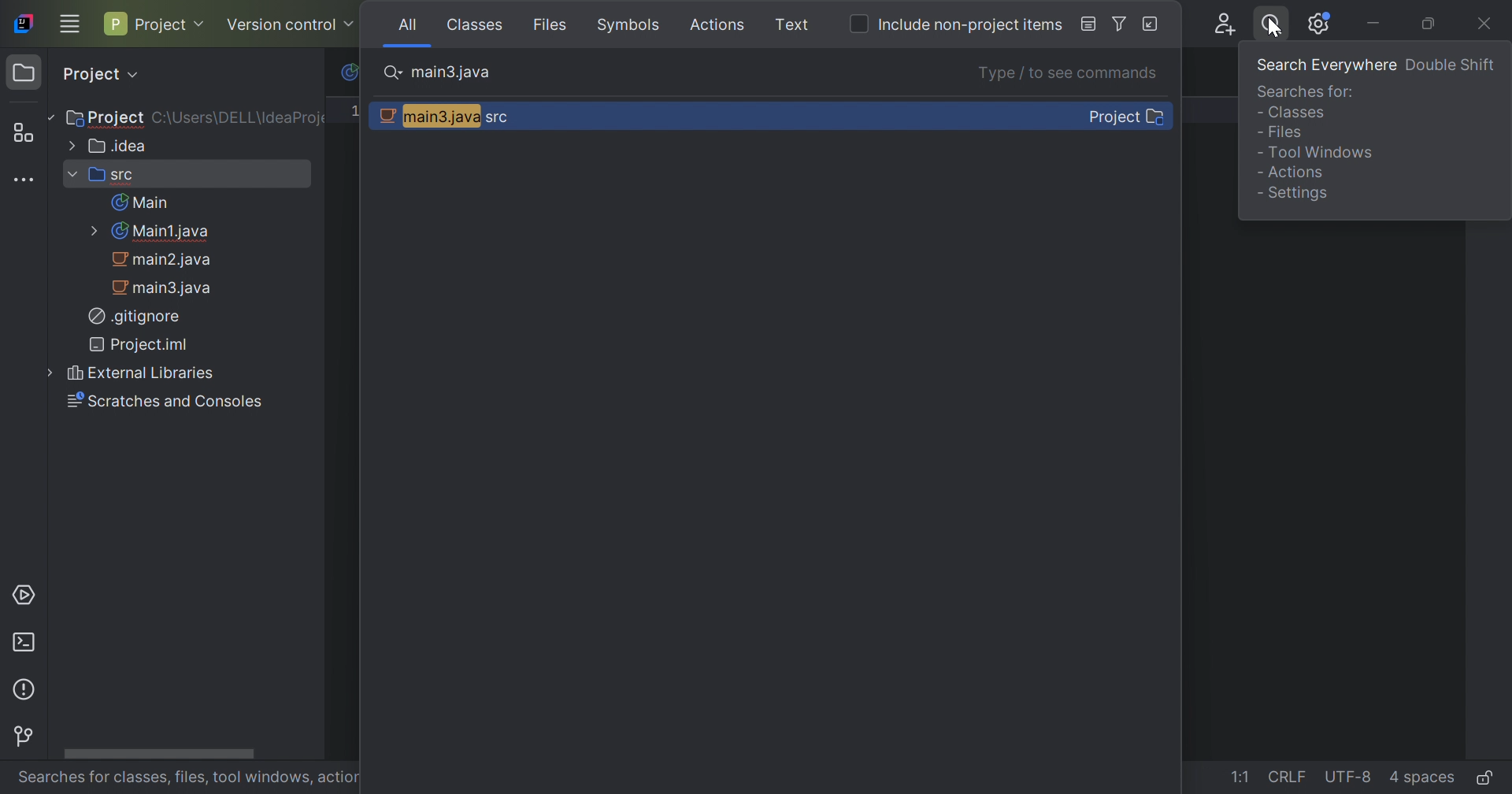  What do you see at coordinates (969, 25) in the screenshot?
I see `Include non-project items` at bounding box center [969, 25].